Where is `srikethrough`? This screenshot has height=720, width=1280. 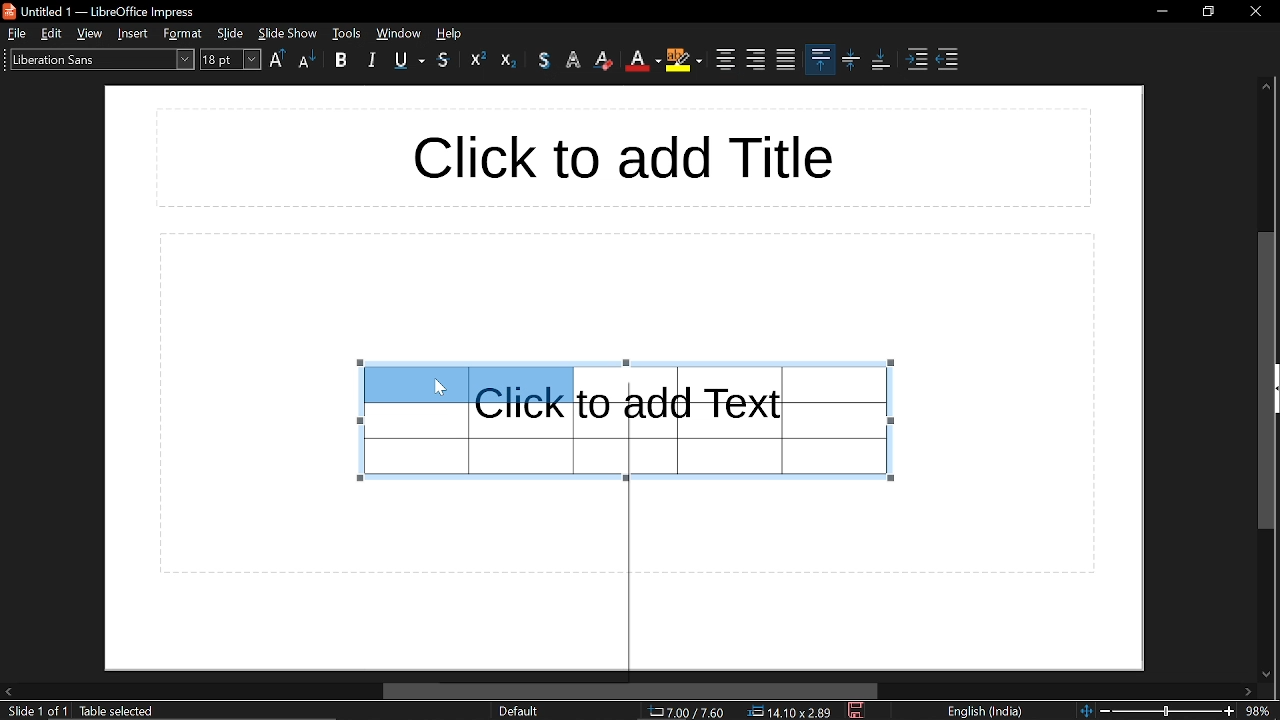 srikethrough is located at coordinates (444, 60).